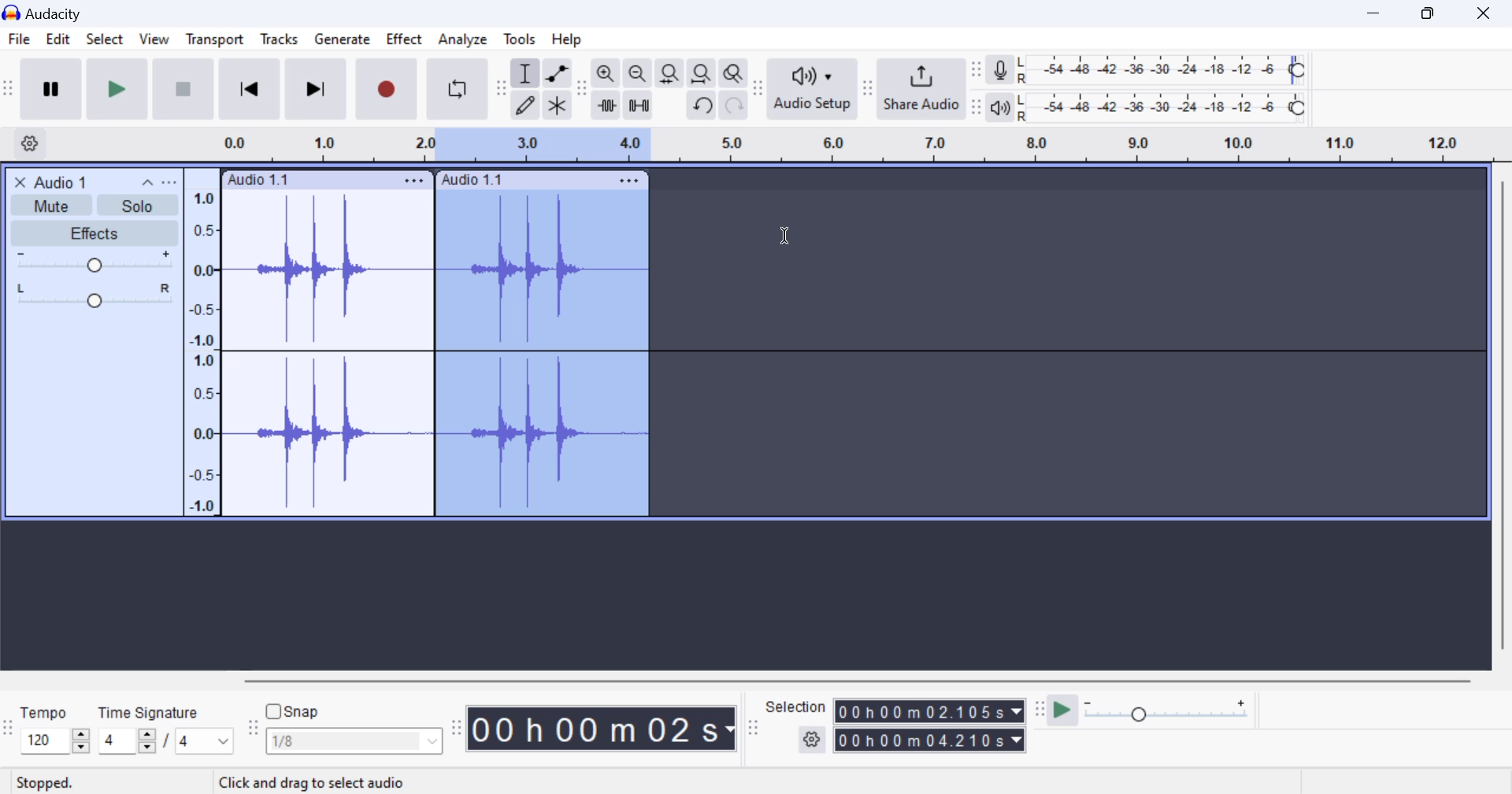 This screenshot has height=794, width=1512. I want to click on undo, so click(703, 106).